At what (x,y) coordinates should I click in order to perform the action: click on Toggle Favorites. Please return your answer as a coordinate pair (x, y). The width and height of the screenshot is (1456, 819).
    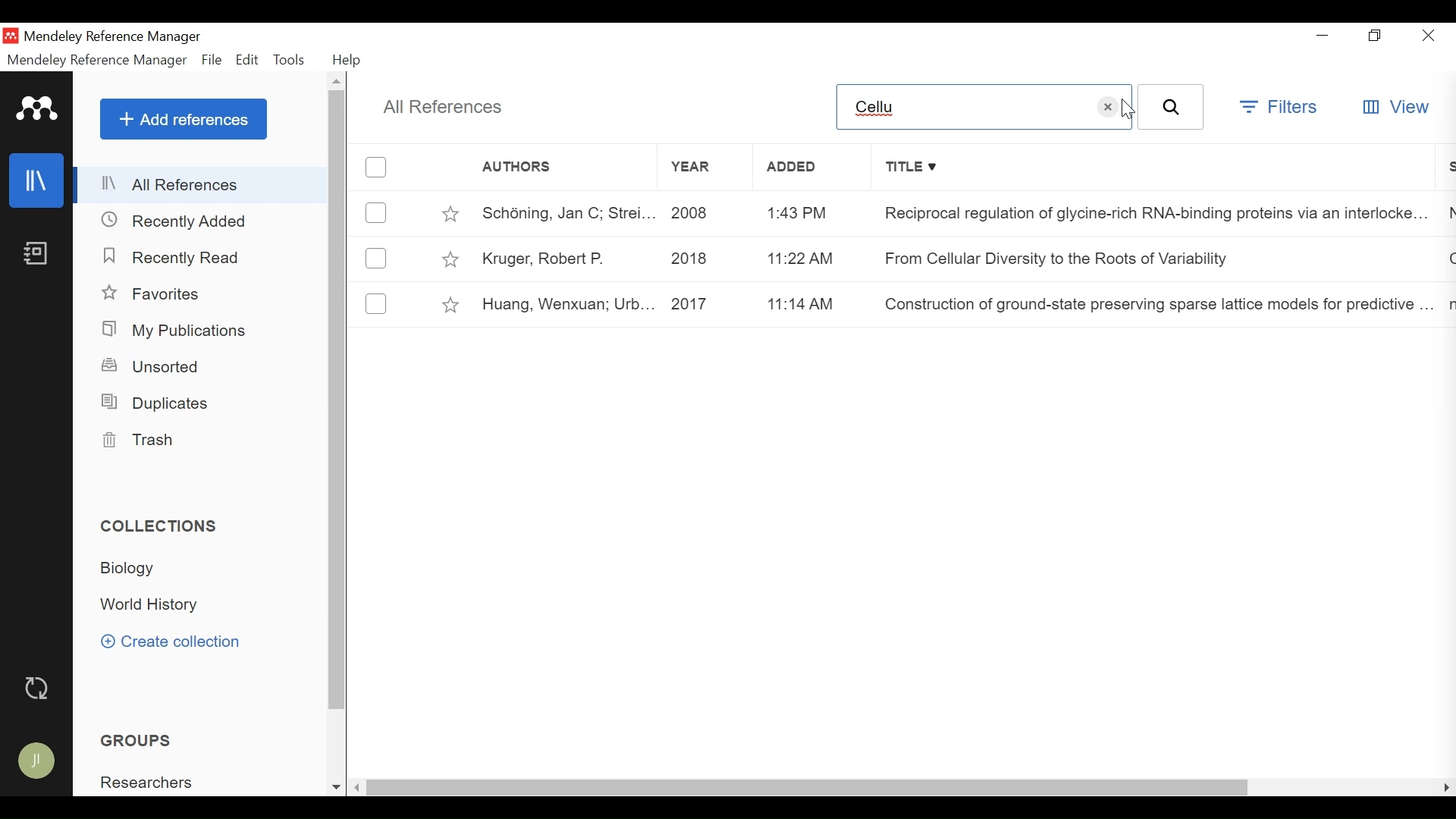
    Looking at the image, I should click on (452, 305).